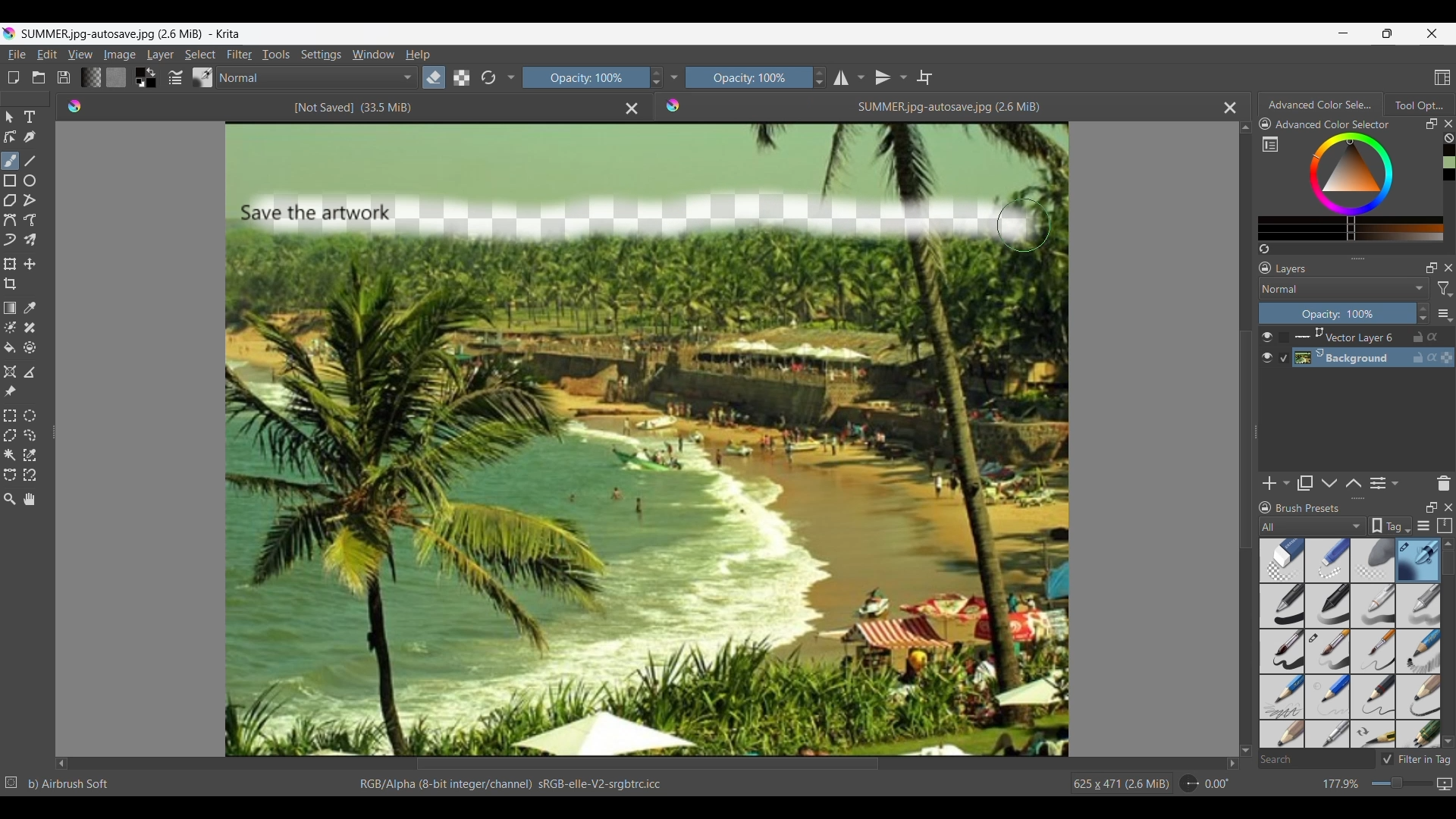 This screenshot has height=819, width=1456. I want to click on Show/Hide respective layer in image space , so click(1266, 347).